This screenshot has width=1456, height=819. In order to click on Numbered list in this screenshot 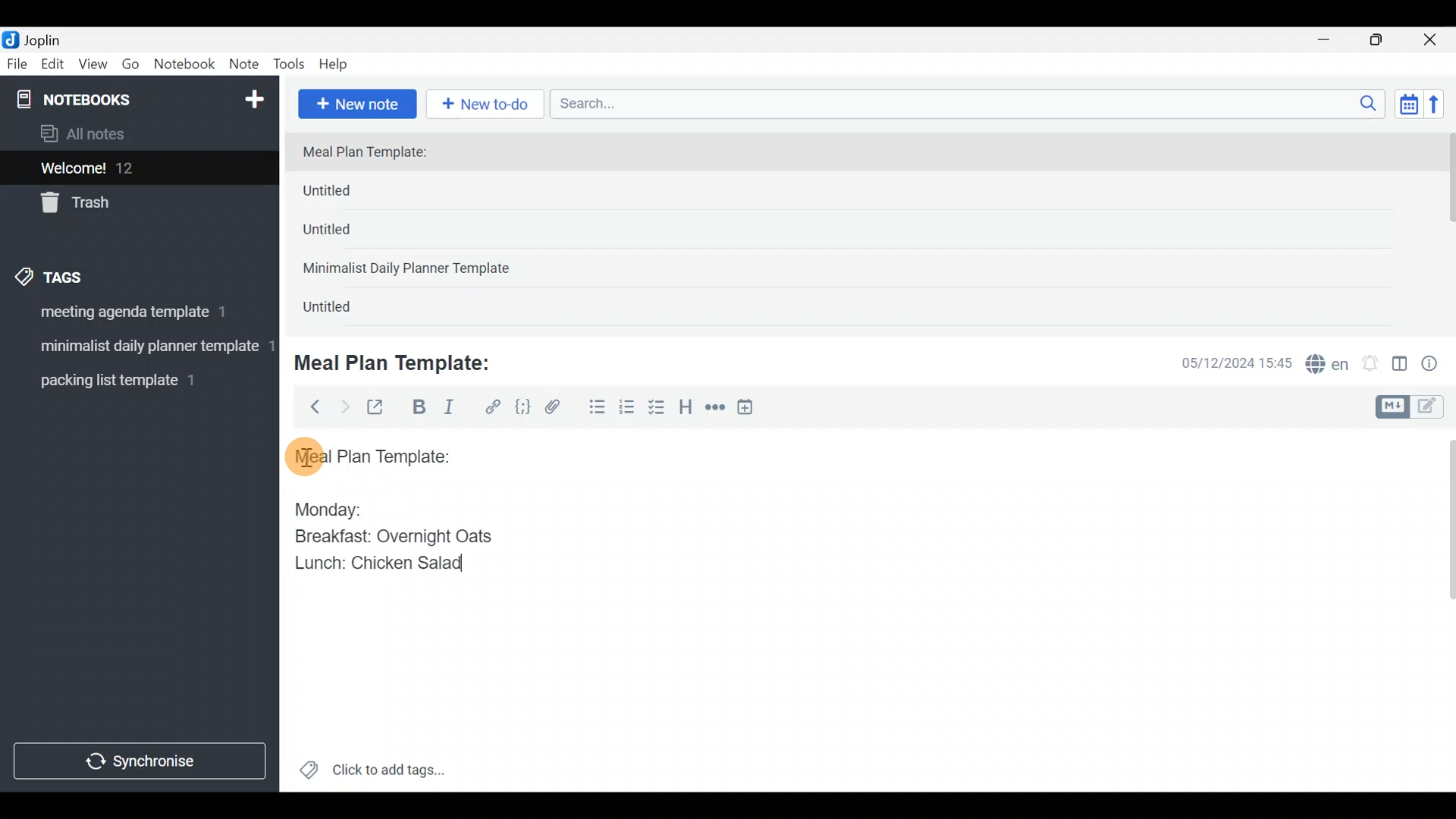, I will do `click(627, 410)`.